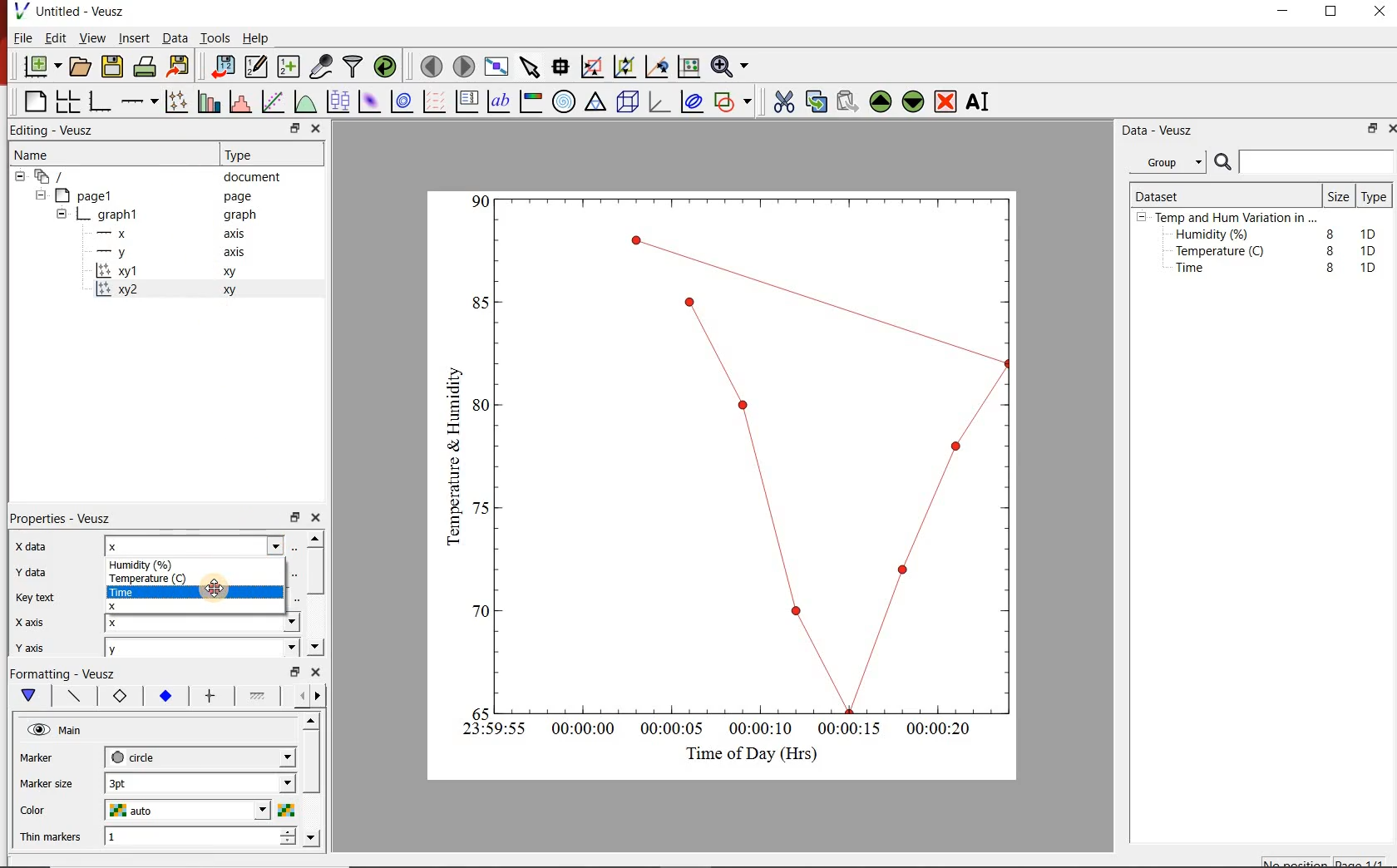  What do you see at coordinates (141, 100) in the screenshot?
I see `add an axis to a plot` at bounding box center [141, 100].